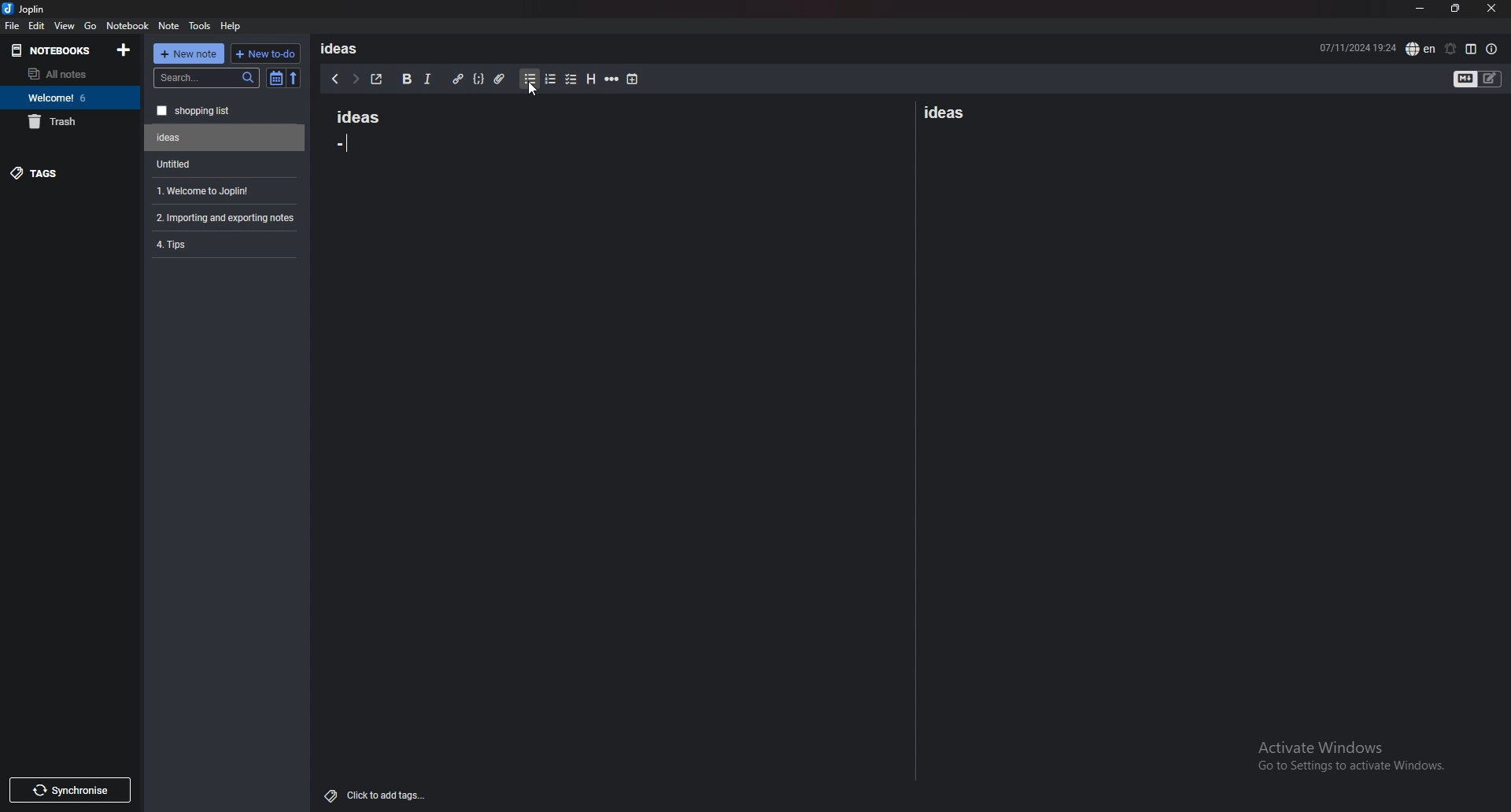  What do you see at coordinates (70, 121) in the screenshot?
I see `trash` at bounding box center [70, 121].